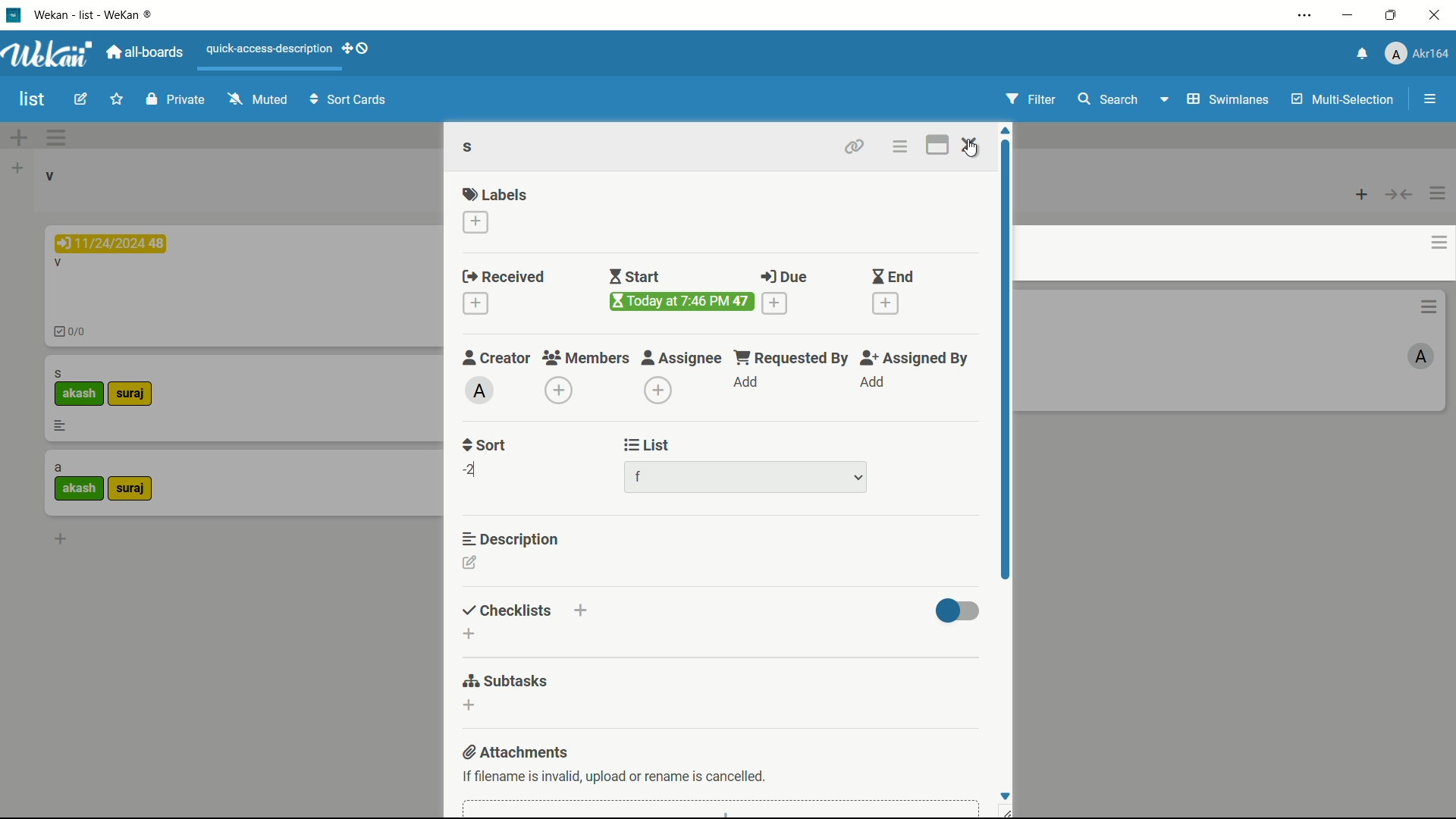 The height and width of the screenshot is (819, 1456). What do you see at coordinates (792, 357) in the screenshot?
I see `requested by` at bounding box center [792, 357].